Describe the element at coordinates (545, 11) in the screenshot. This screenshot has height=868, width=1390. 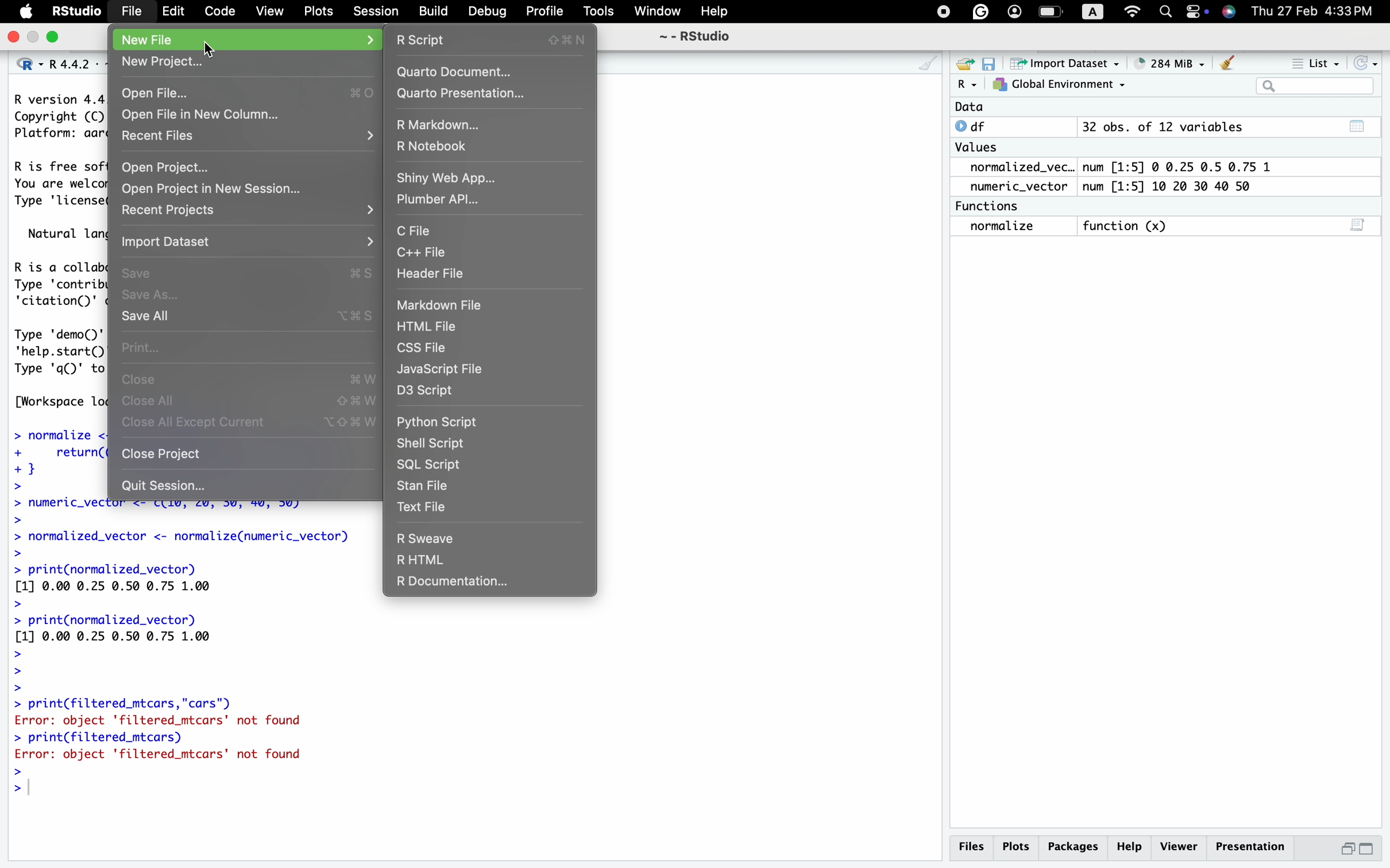
I see `Profile` at that location.